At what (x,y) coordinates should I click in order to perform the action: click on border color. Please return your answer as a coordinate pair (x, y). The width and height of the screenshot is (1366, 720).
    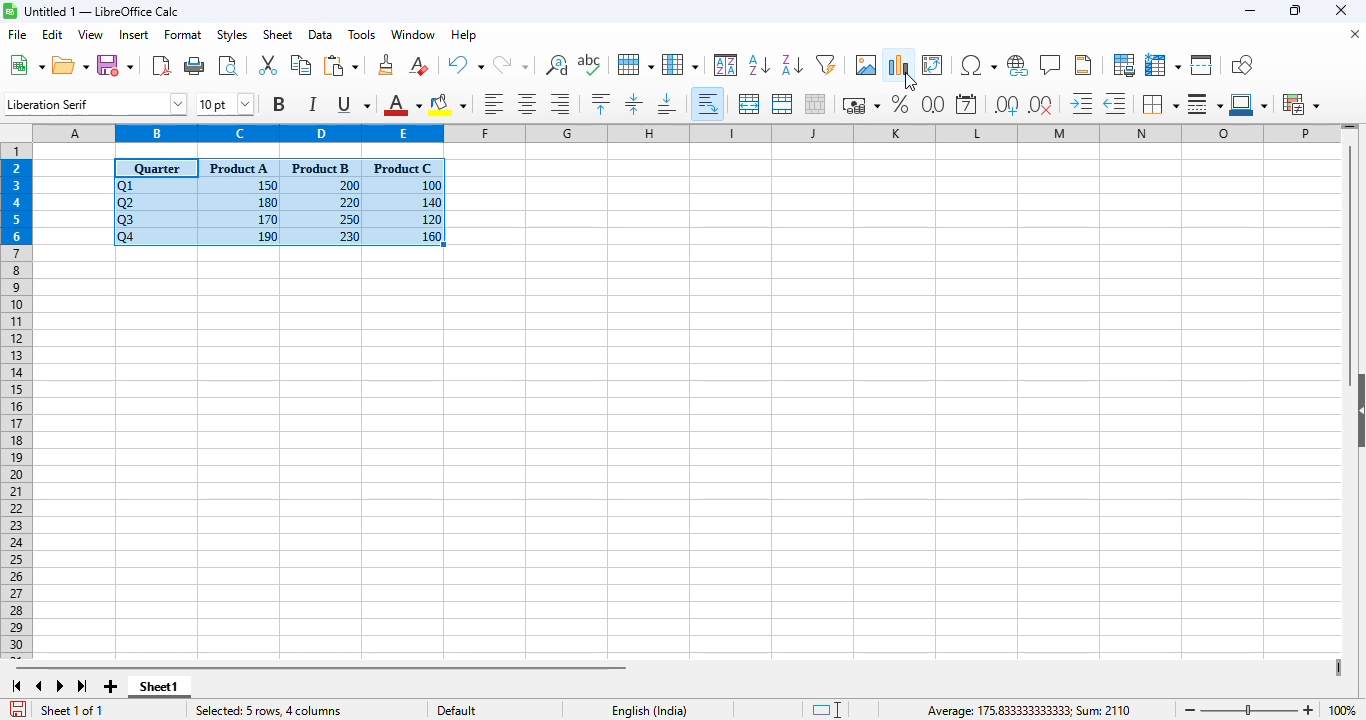
    Looking at the image, I should click on (1251, 104).